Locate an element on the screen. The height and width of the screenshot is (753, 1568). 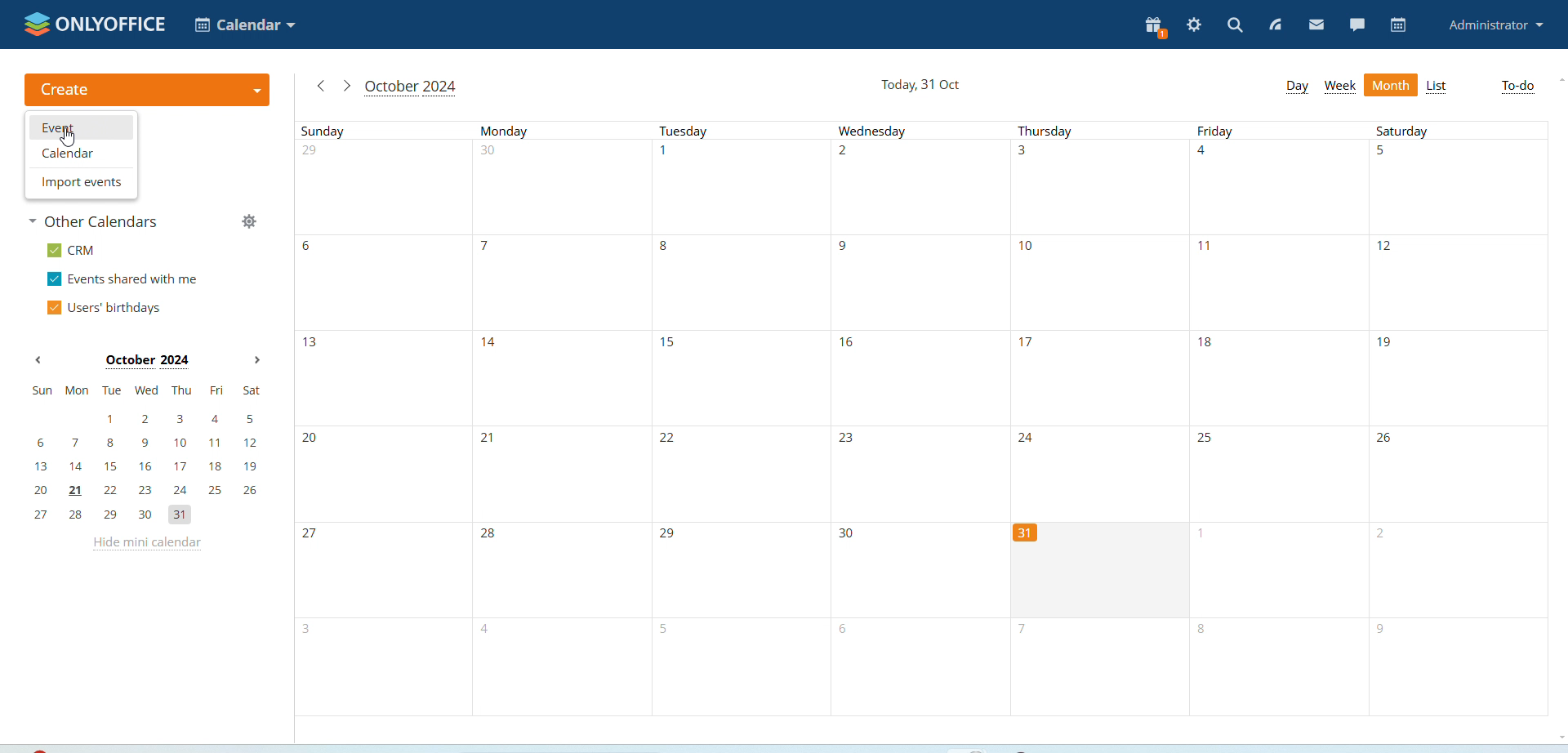
cursor is located at coordinates (66, 136).